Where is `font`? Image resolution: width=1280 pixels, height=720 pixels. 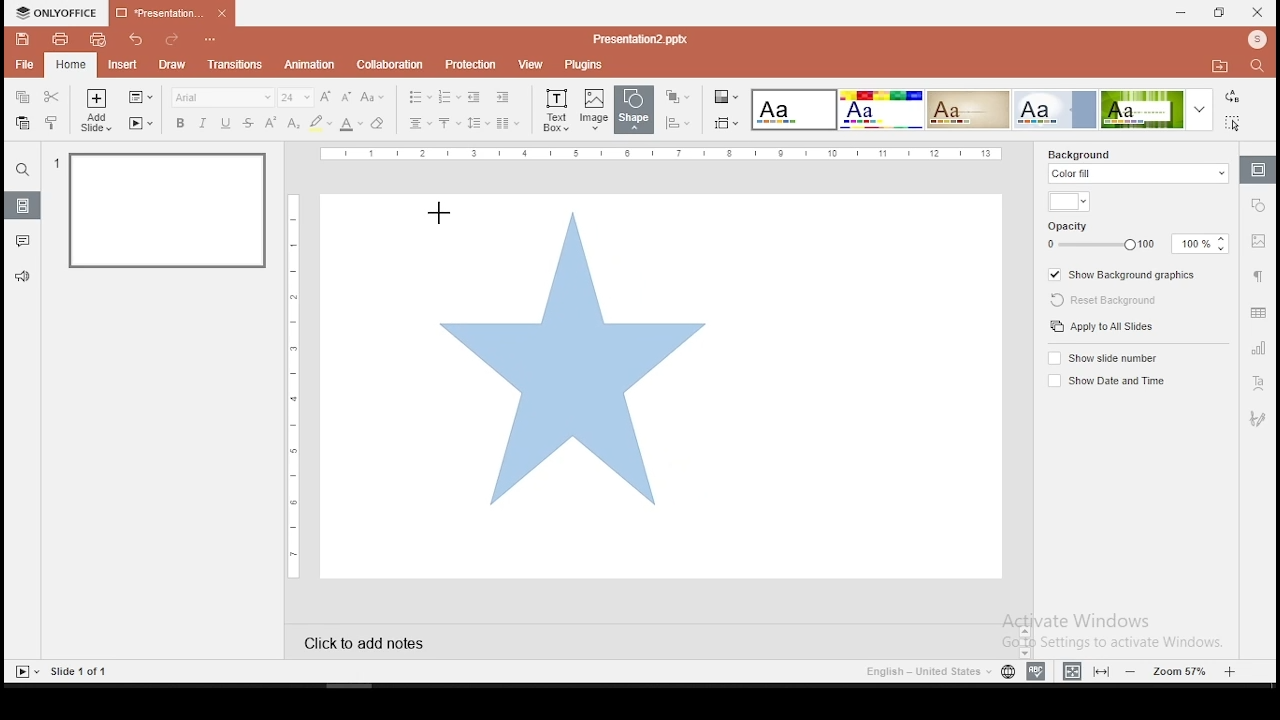 font is located at coordinates (222, 97).